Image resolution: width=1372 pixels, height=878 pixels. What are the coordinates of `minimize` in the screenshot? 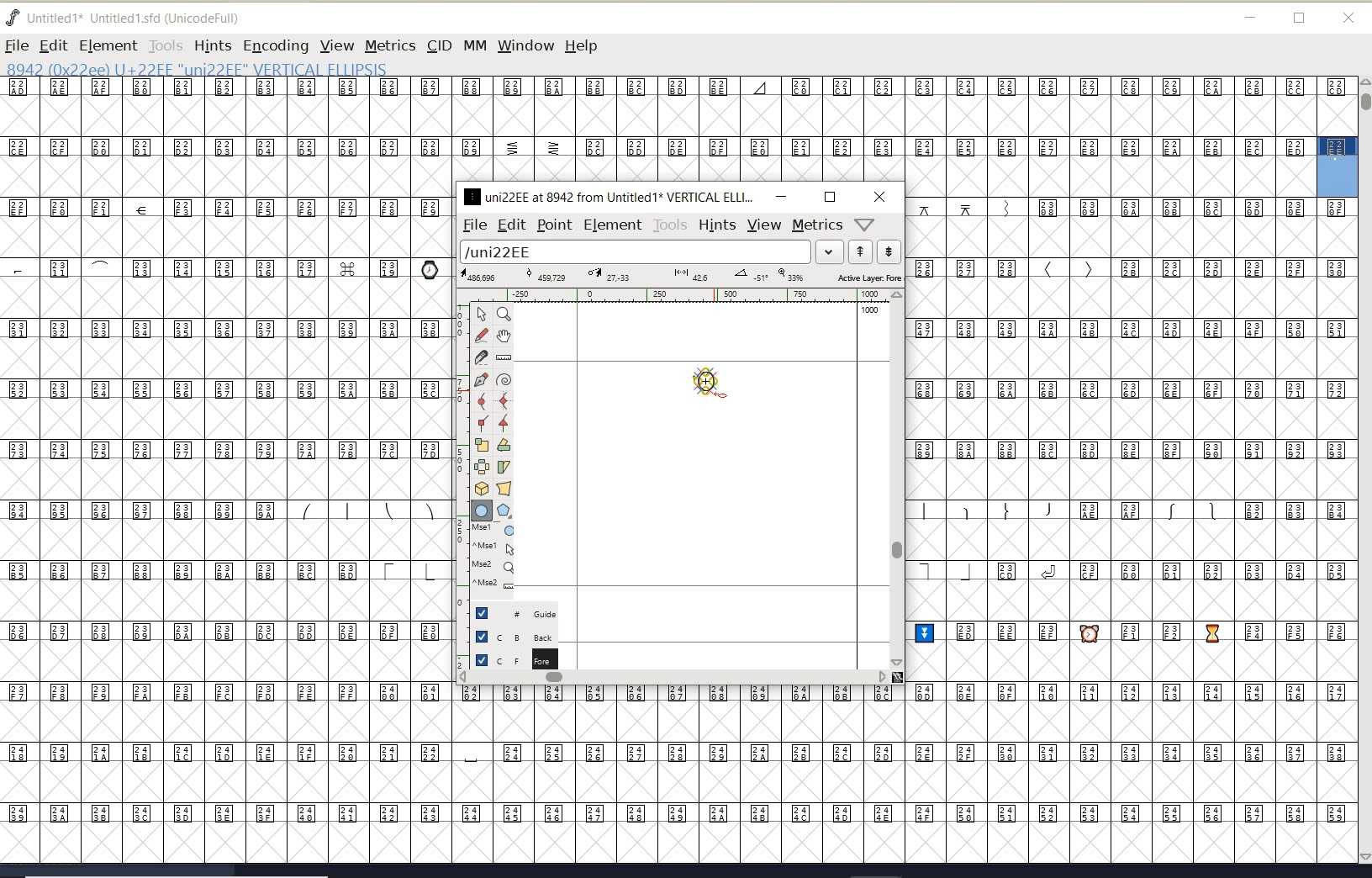 It's located at (781, 196).